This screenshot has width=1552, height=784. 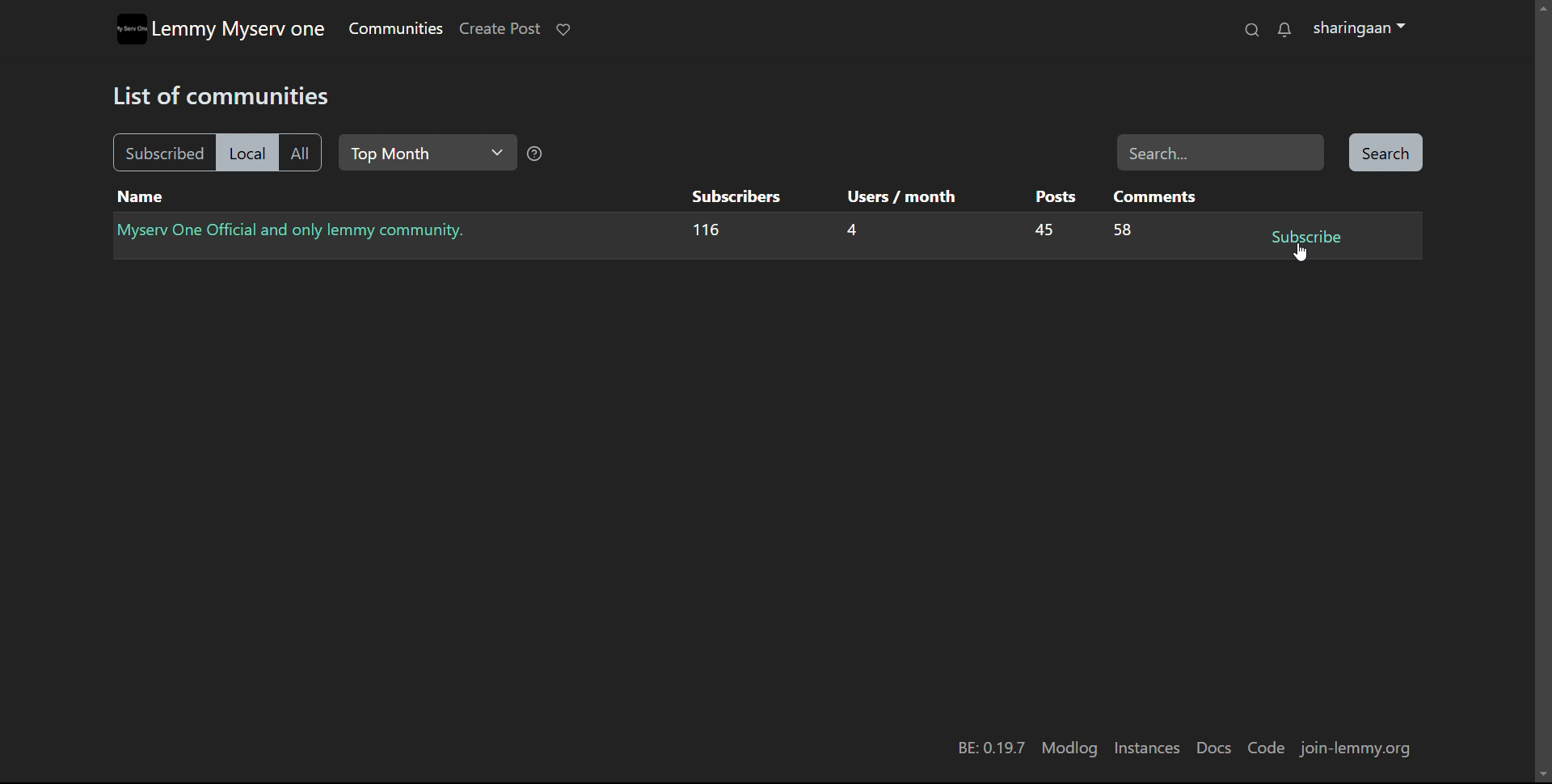 I want to click on List of communities, so click(x=227, y=94).